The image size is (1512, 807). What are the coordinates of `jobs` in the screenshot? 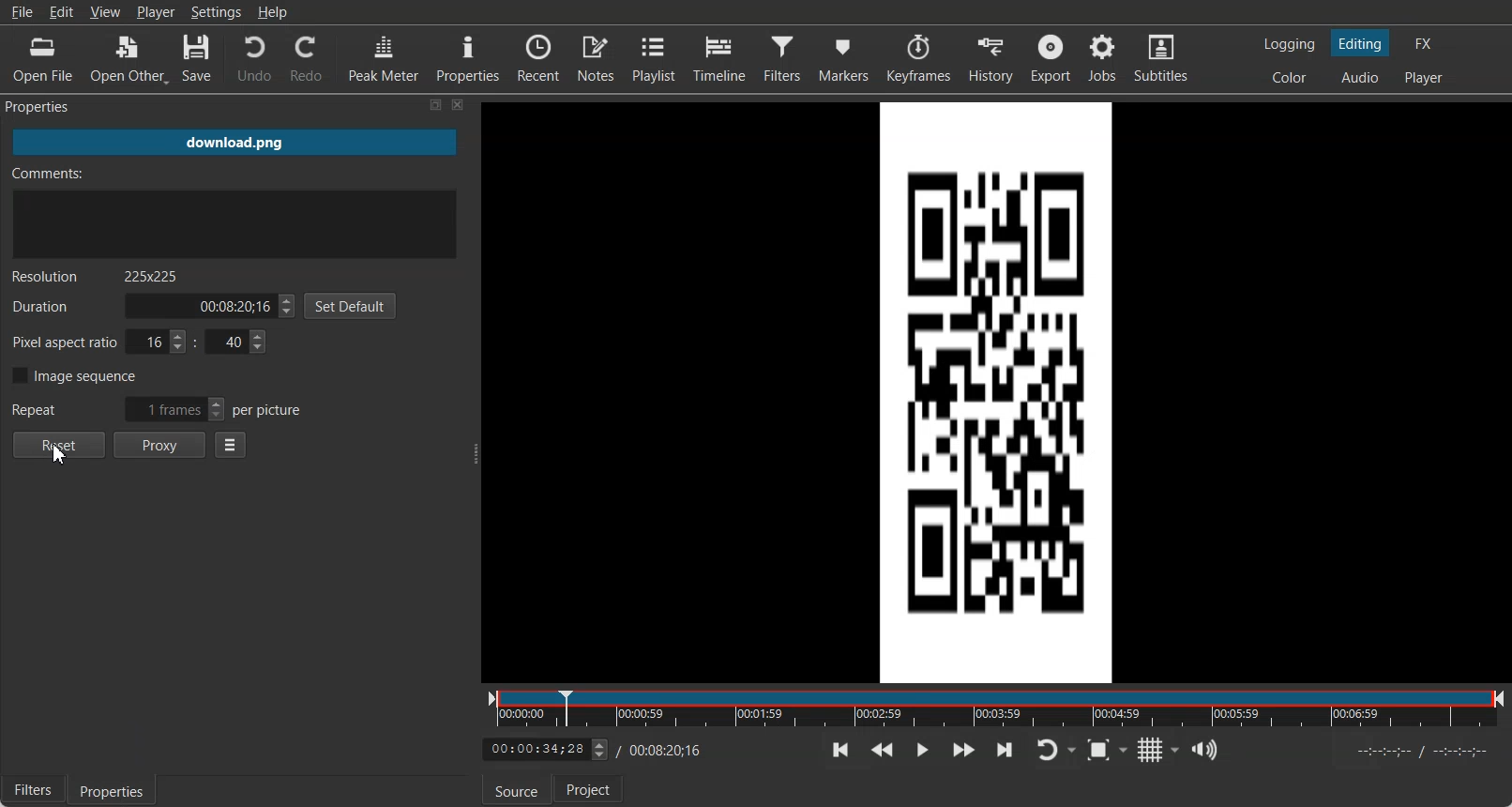 It's located at (1103, 59).